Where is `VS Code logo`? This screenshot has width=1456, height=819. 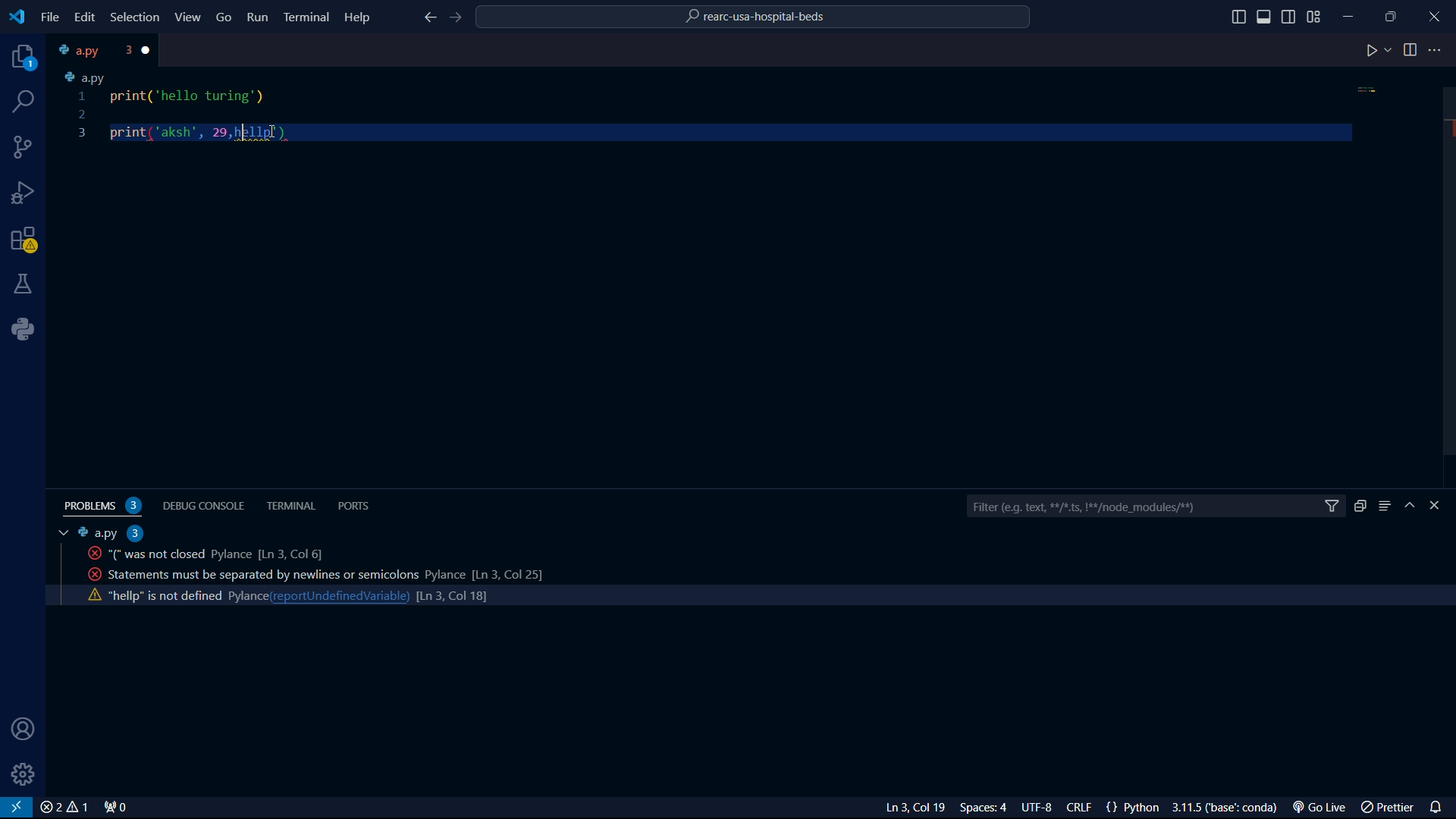 VS Code logo is located at coordinates (15, 15).